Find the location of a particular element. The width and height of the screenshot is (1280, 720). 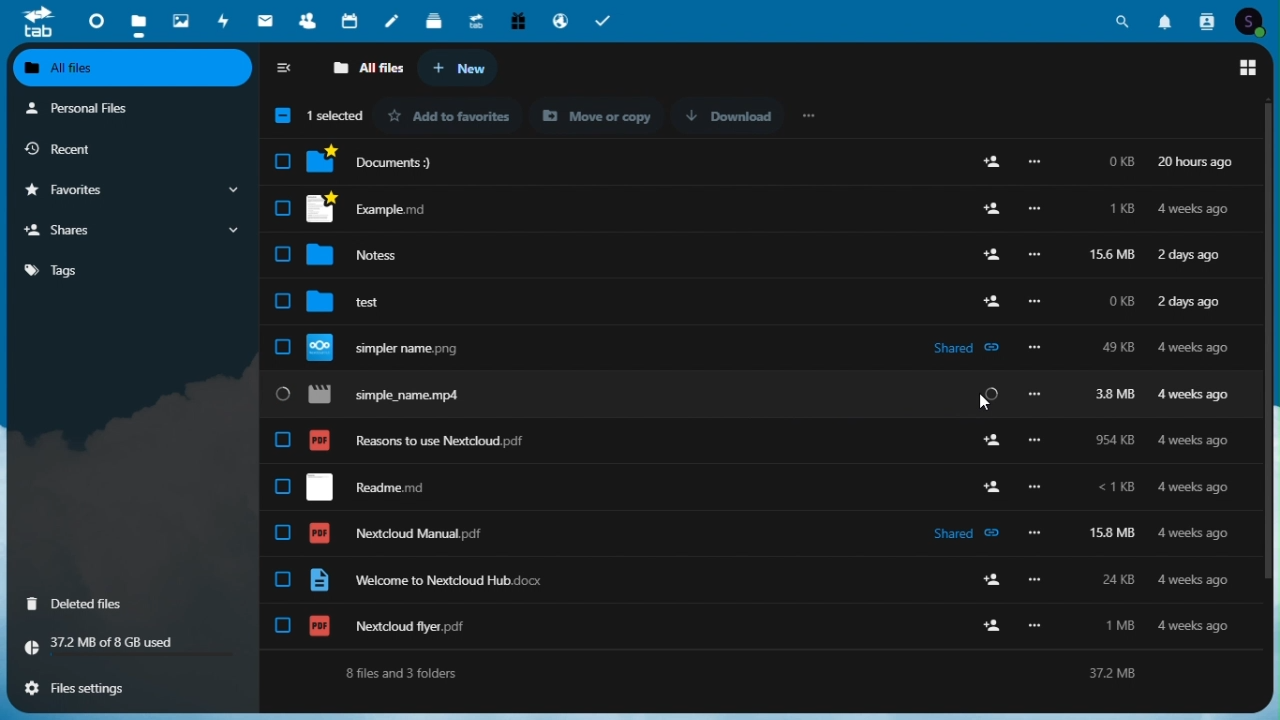

Tags is located at coordinates (128, 269).